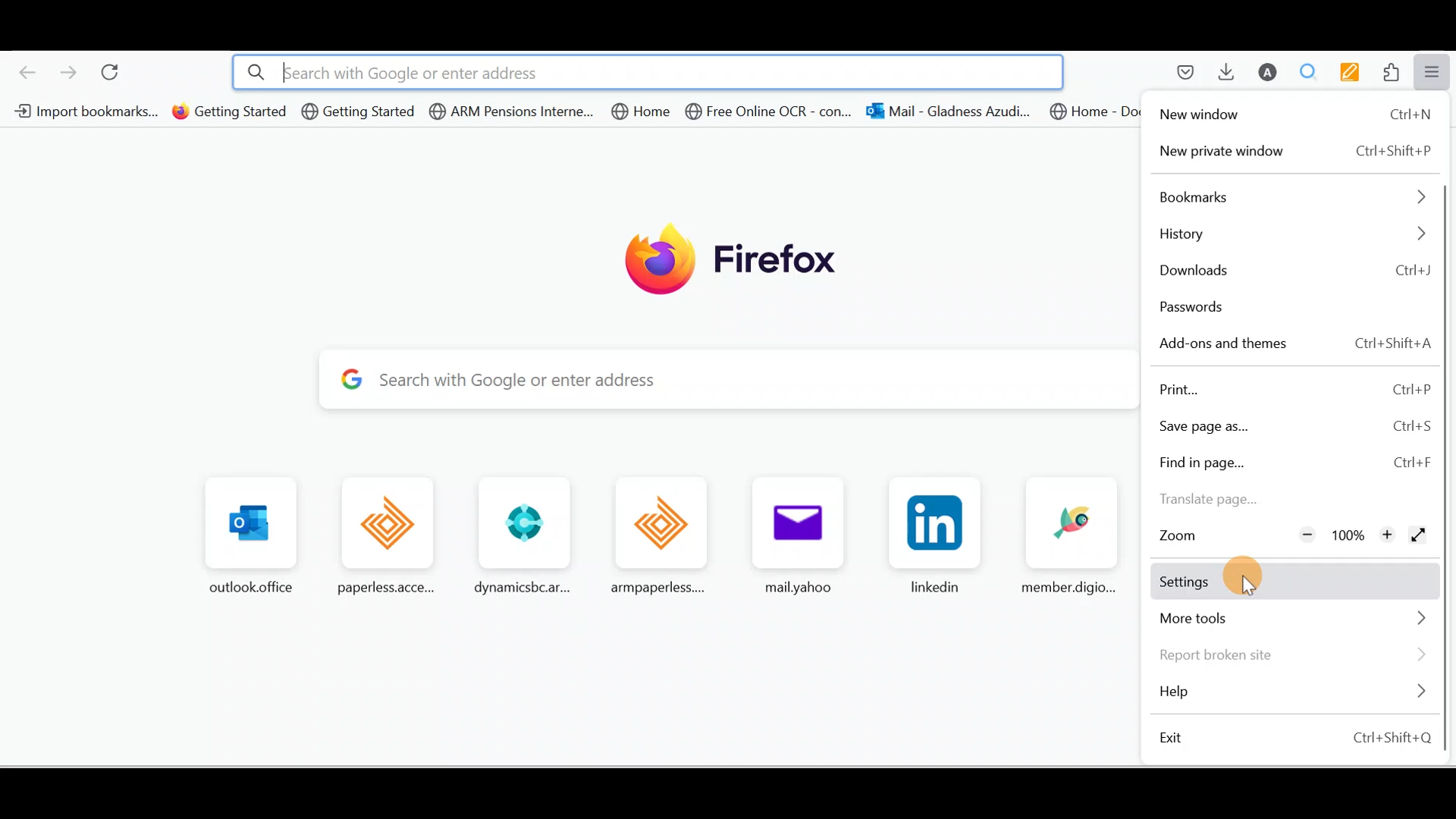  I want to click on Open application menu, so click(1437, 71).